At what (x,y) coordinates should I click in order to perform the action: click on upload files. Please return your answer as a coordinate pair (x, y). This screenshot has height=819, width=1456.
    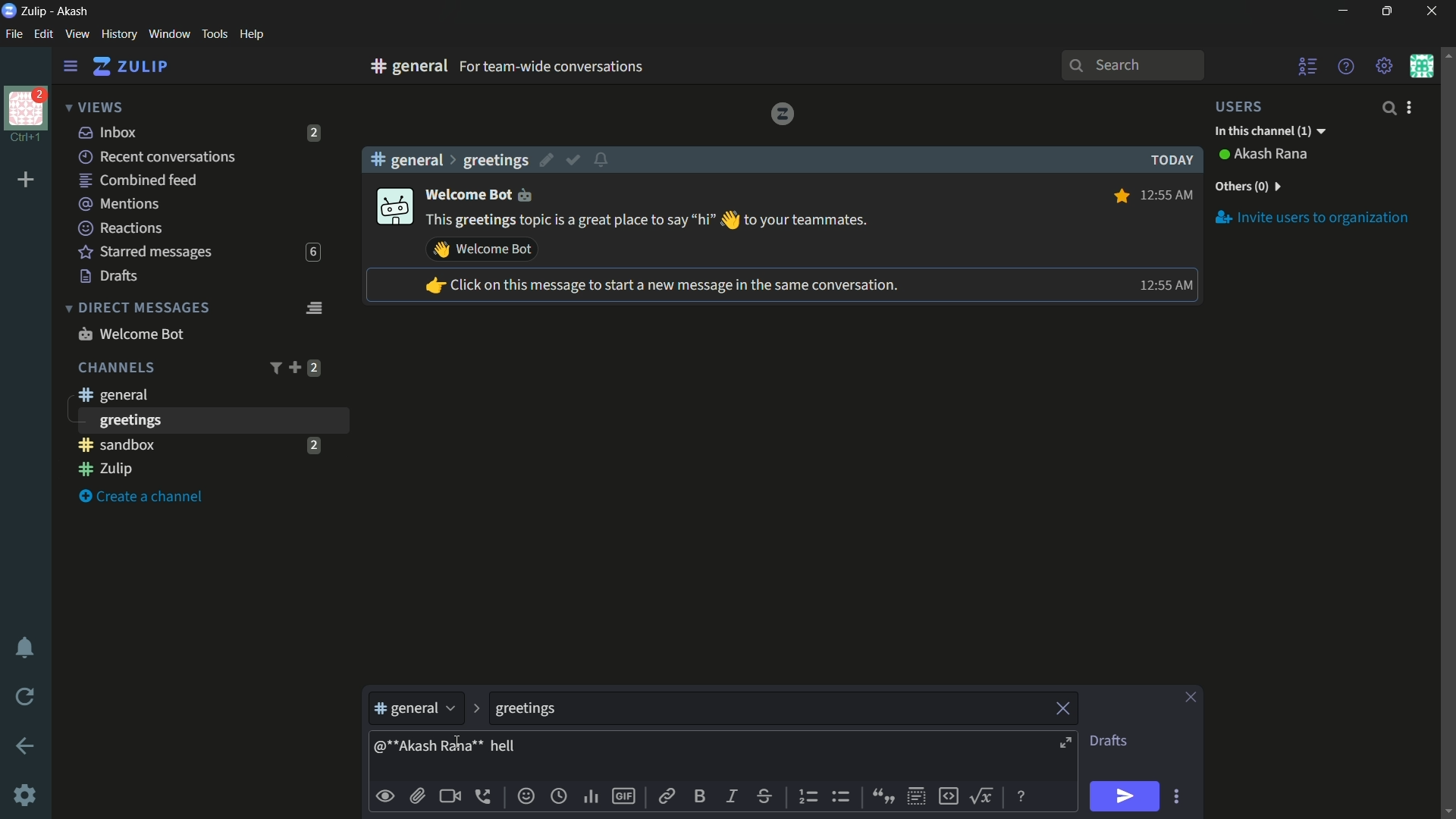
    Looking at the image, I should click on (417, 796).